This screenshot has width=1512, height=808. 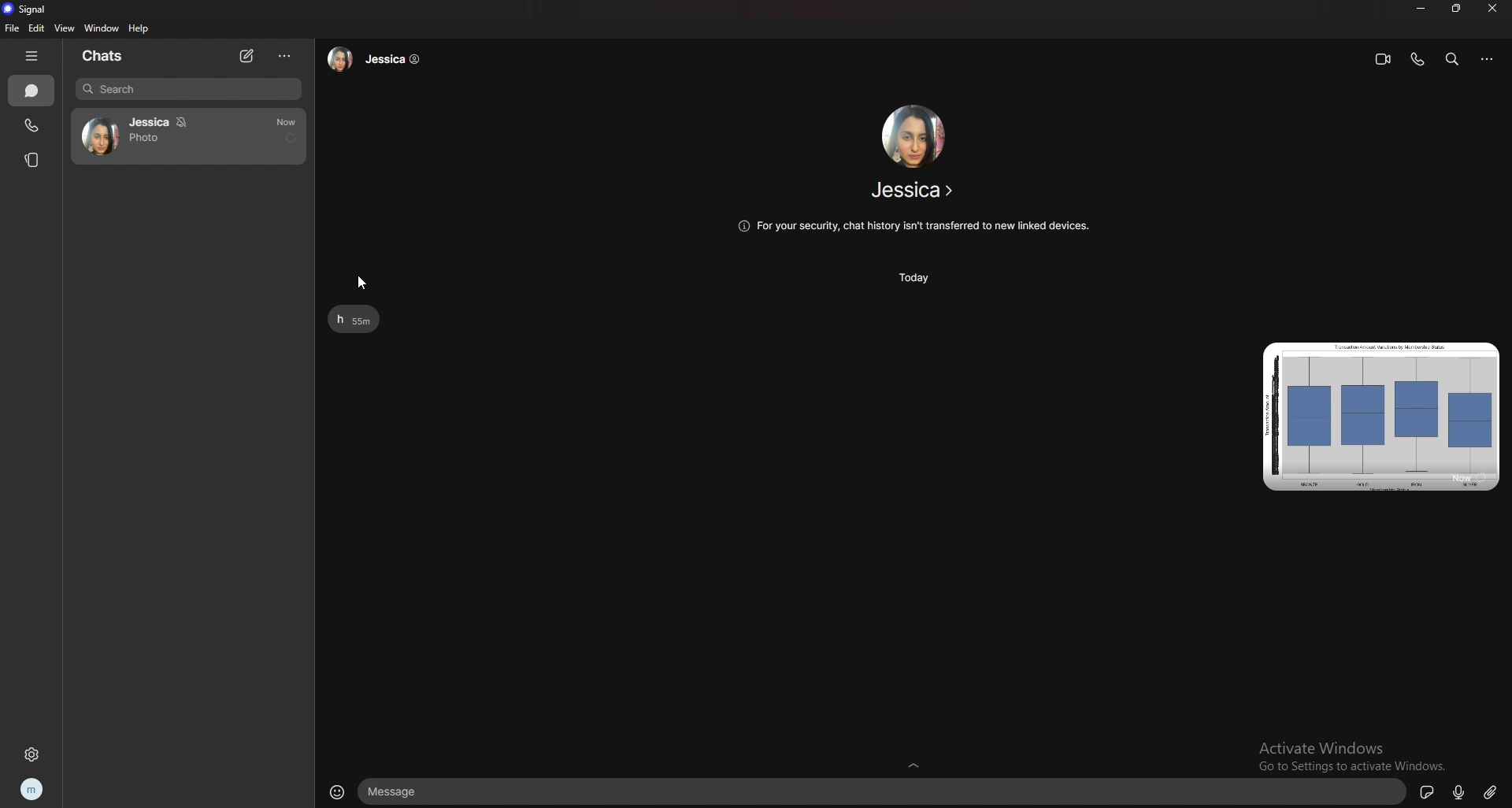 What do you see at coordinates (378, 59) in the screenshot?
I see `contact` at bounding box center [378, 59].